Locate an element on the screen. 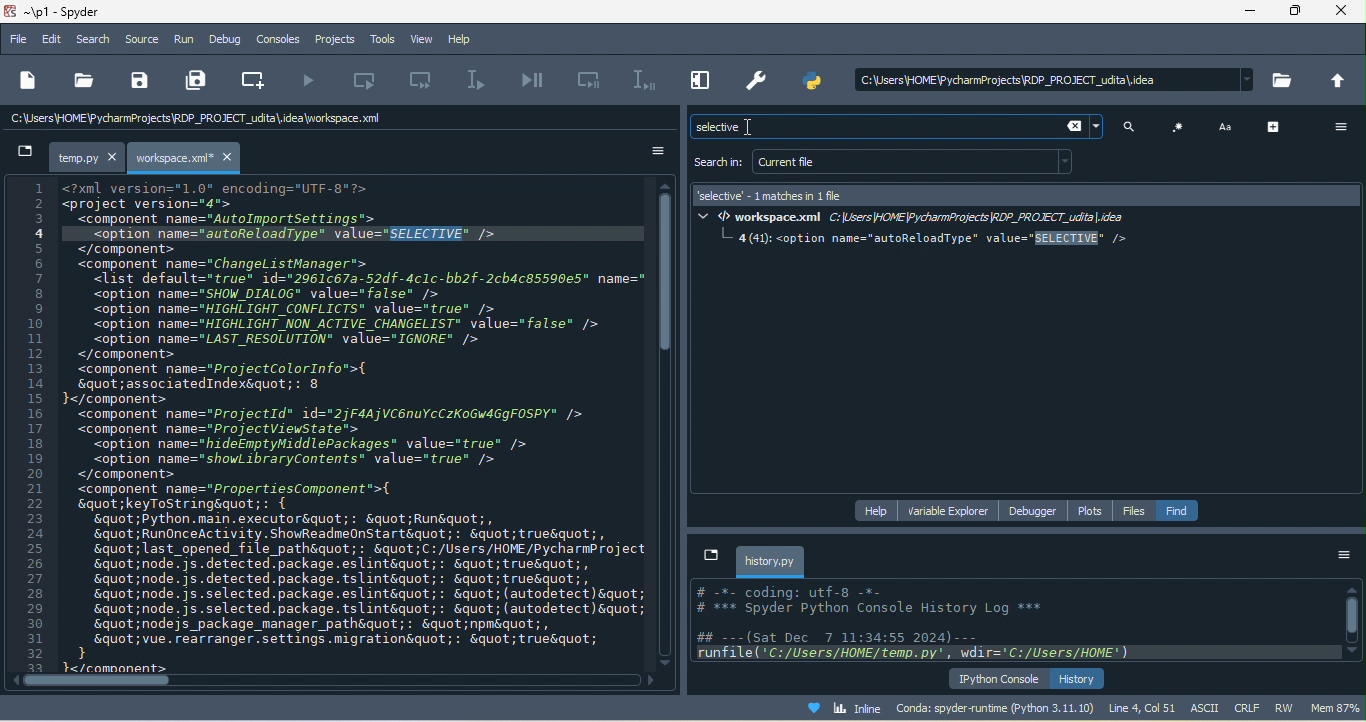  text is located at coordinates (1228, 126).